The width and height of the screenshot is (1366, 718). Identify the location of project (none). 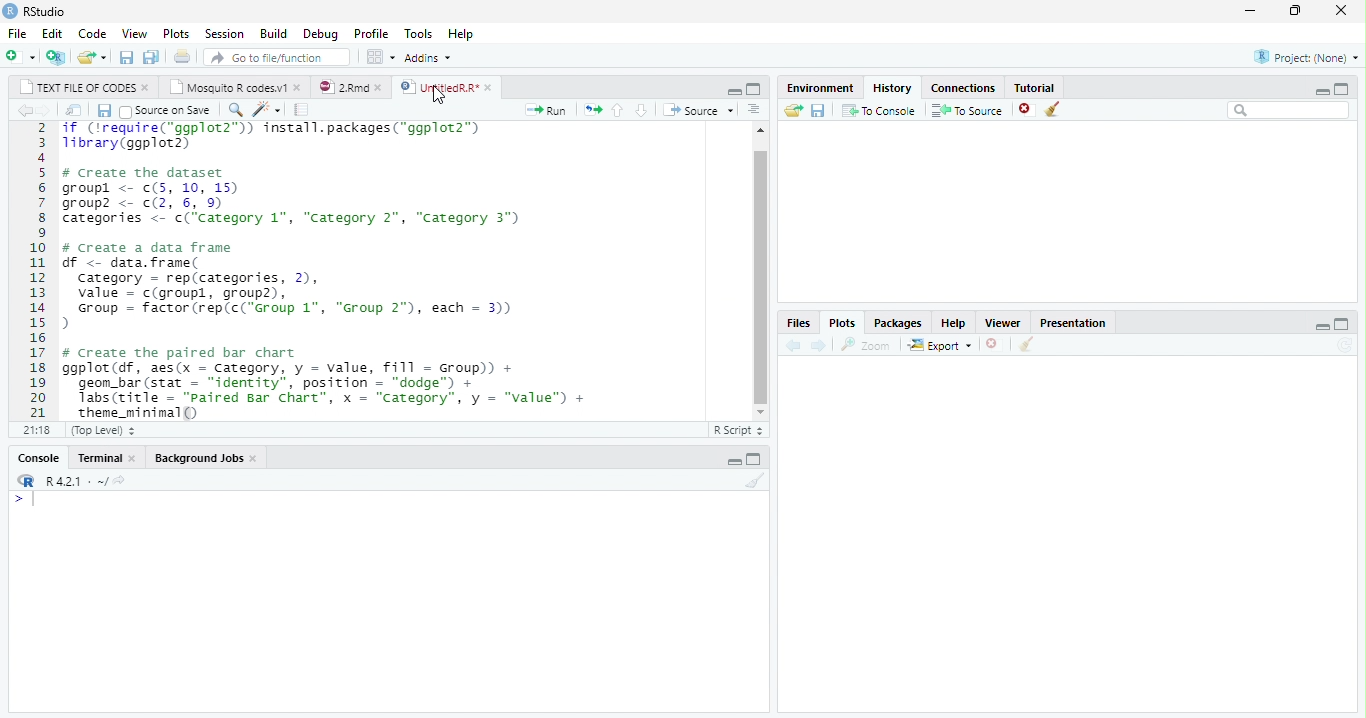
(1306, 55).